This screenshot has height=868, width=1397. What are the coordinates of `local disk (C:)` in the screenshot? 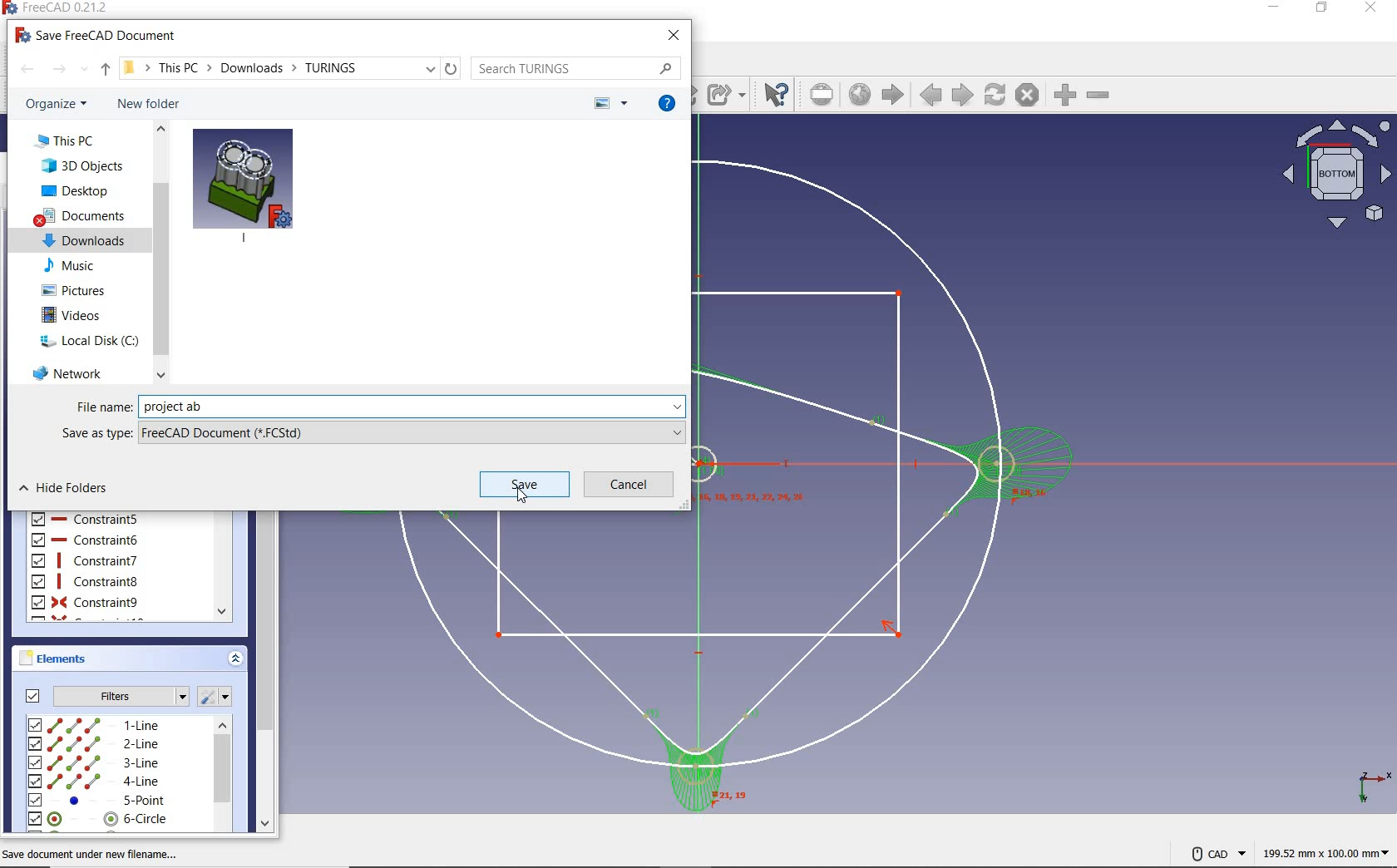 It's located at (88, 340).